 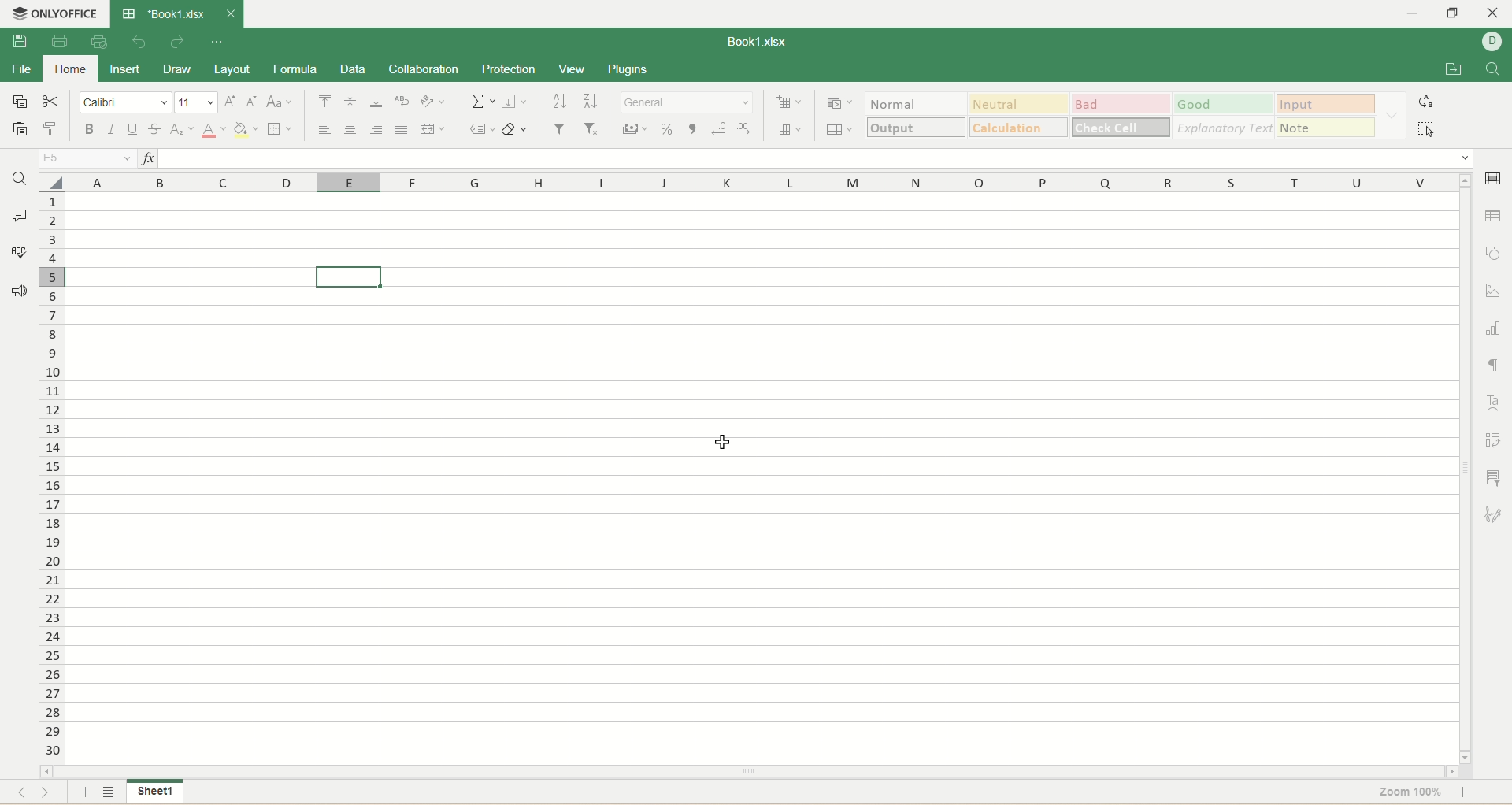 What do you see at coordinates (594, 128) in the screenshot?
I see `remove filter` at bounding box center [594, 128].